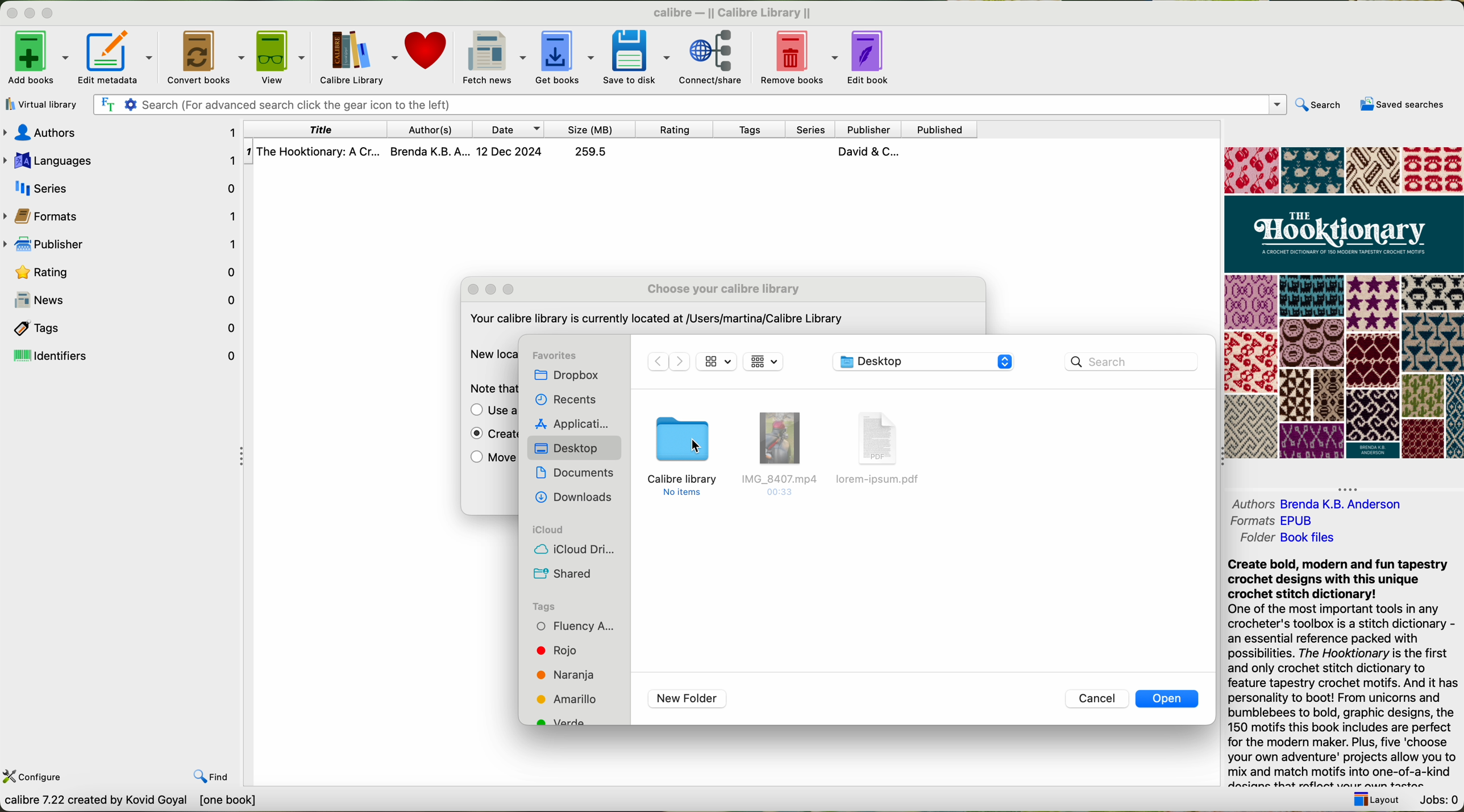 The width and height of the screenshot is (1464, 812). Describe the element at coordinates (565, 57) in the screenshot. I see `get books` at that location.